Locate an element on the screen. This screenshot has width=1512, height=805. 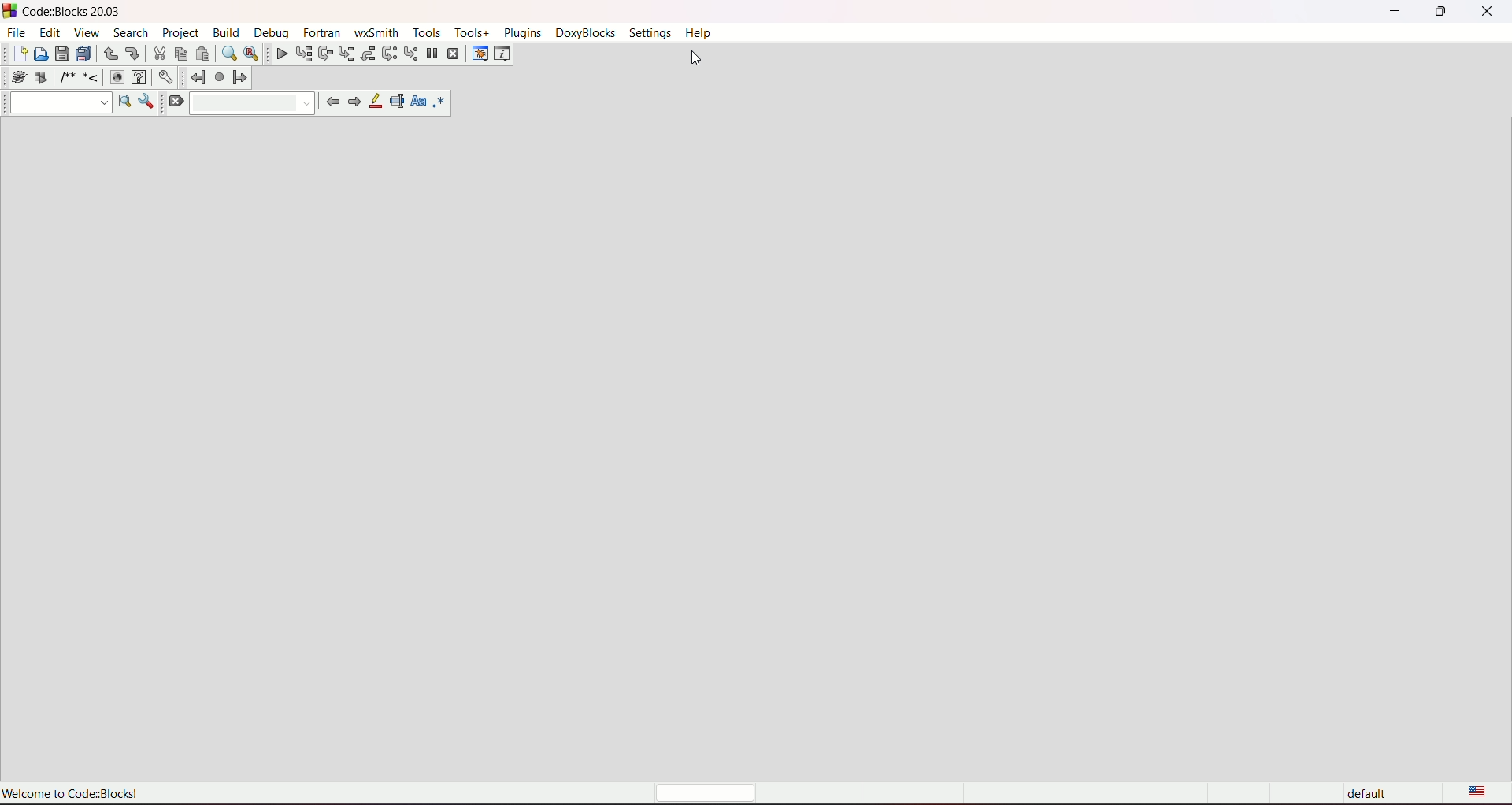
edit is located at coordinates (50, 32).